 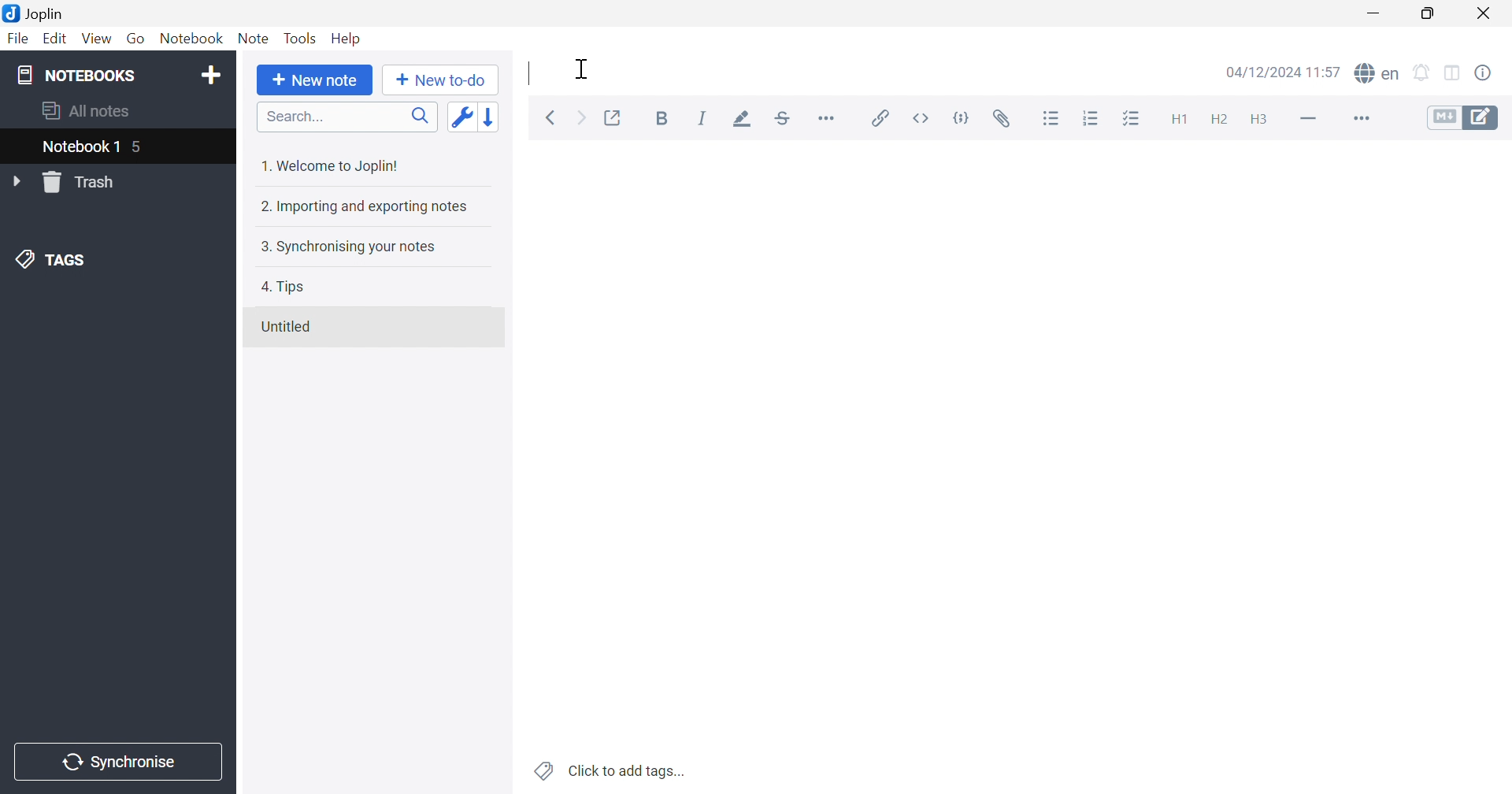 What do you see at coordinates (94, 146) in the screenshot?
I see `Notebook 1` at bounding box center [94, 146].